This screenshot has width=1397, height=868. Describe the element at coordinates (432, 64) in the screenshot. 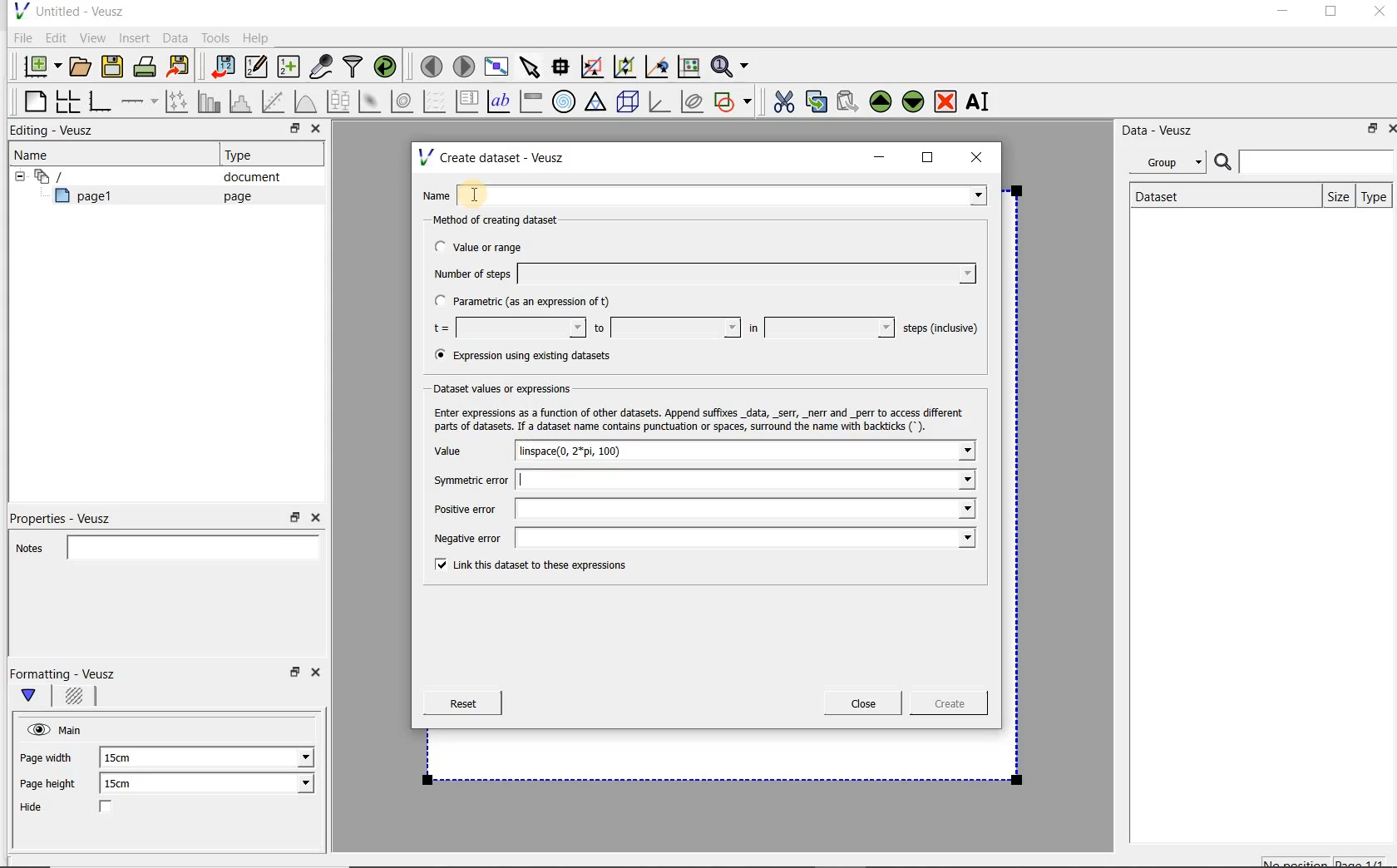

I see `move to the previous page` at that location.